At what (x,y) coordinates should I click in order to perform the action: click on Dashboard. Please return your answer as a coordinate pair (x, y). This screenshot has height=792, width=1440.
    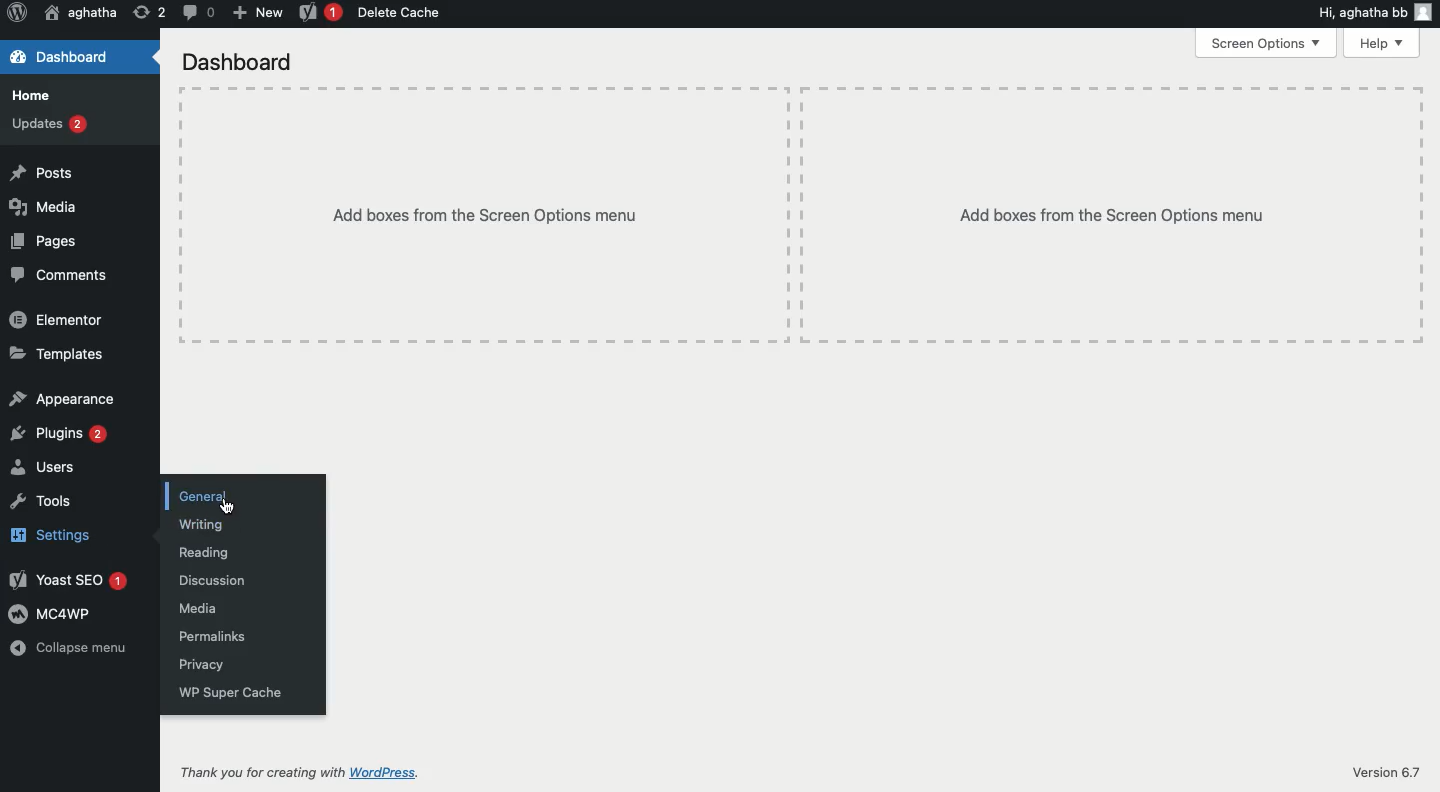
    Looking at the image, I should click on (60, 59).